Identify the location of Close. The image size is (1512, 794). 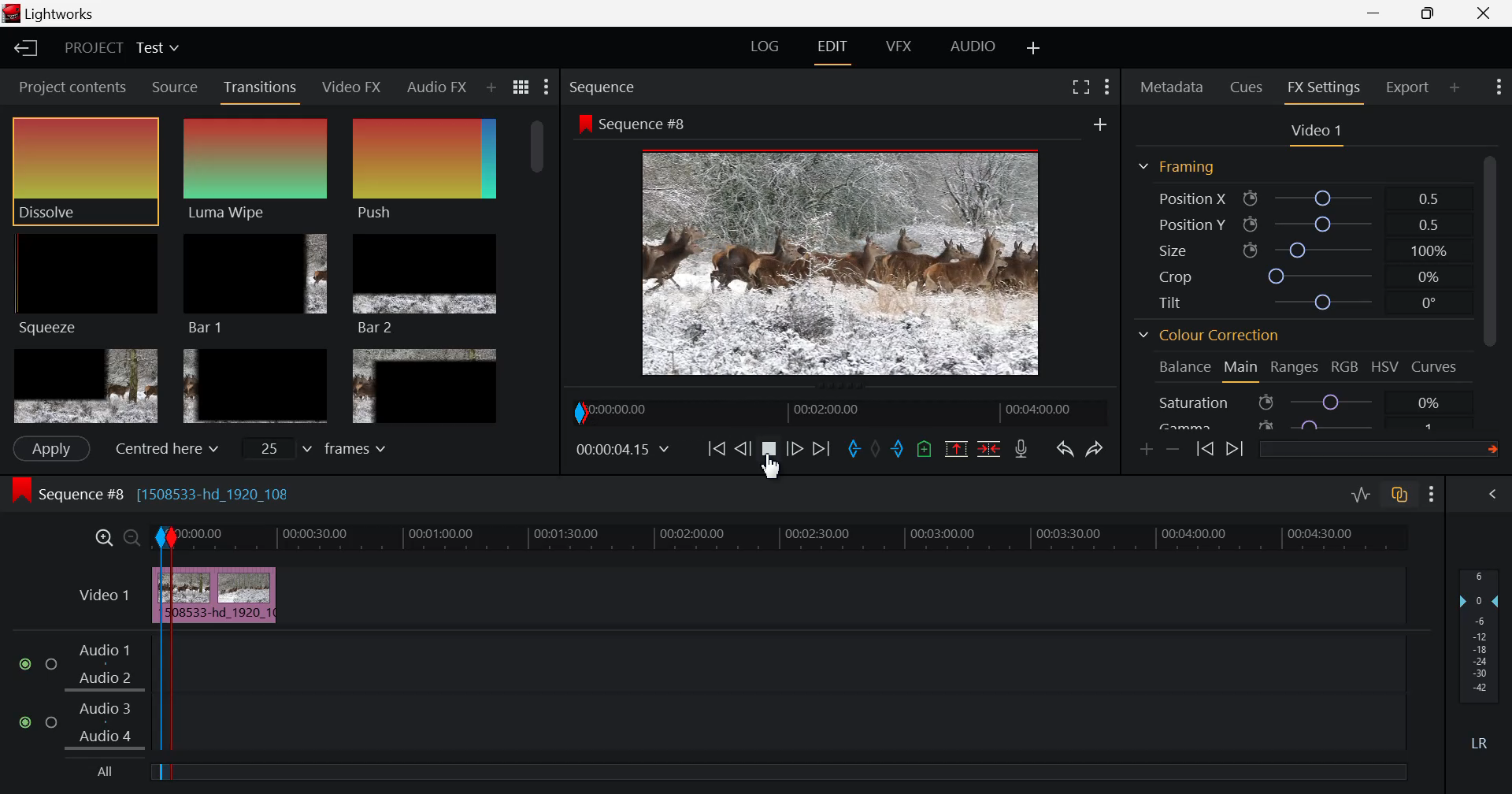
(1480, 13).